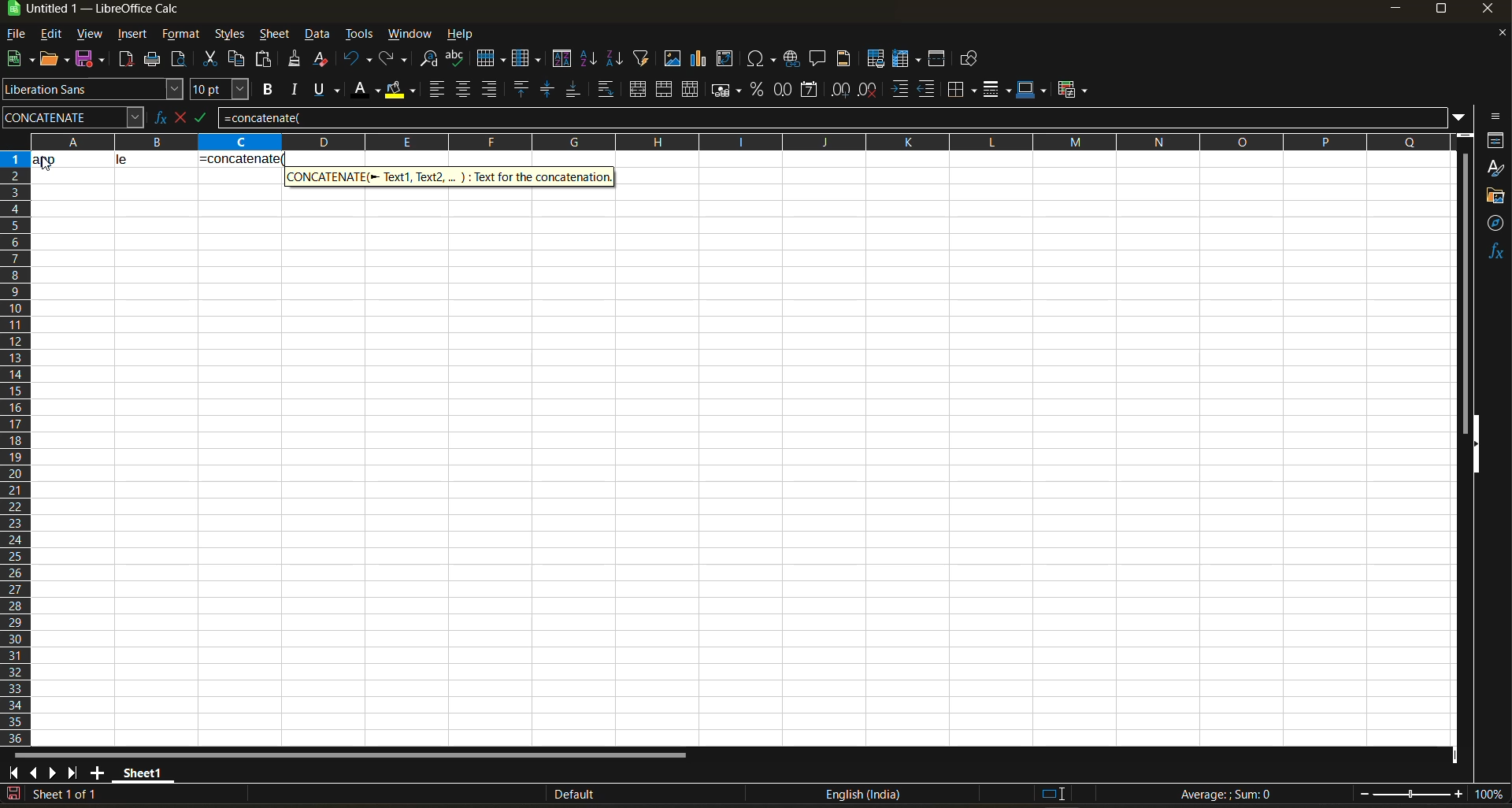 The width and height of the screenshot is (1512, 808). I want to click on format as number, so click(787, 91).